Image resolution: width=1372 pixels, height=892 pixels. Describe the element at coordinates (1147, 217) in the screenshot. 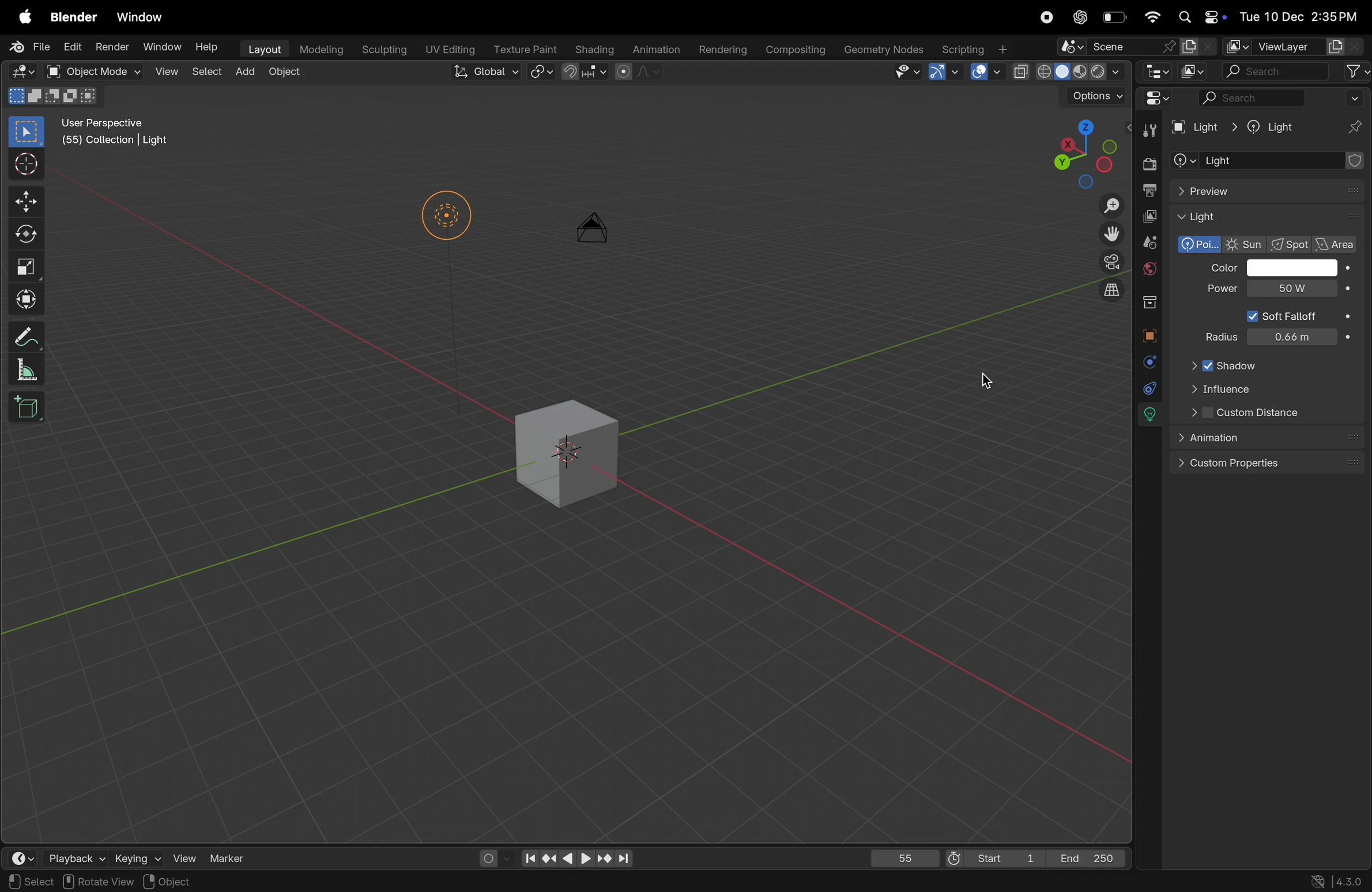

I see `view layer` at that location.